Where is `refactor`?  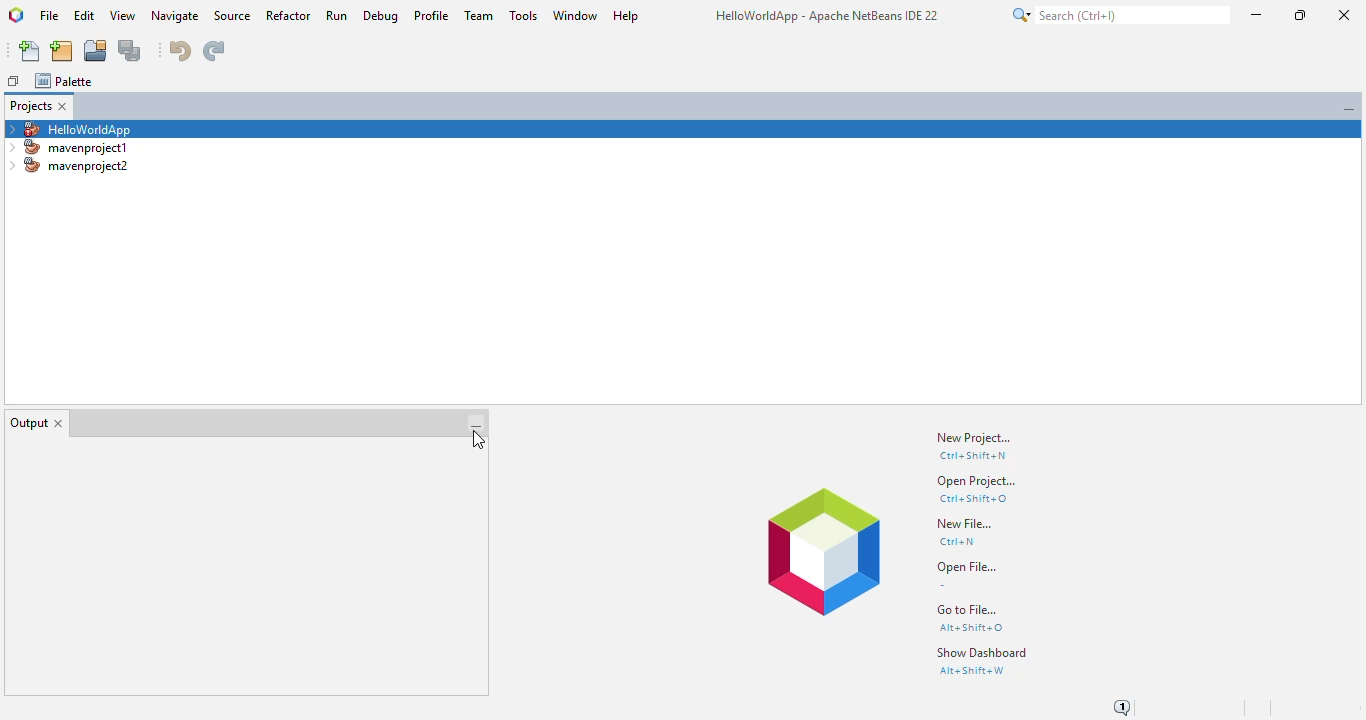 refactor is located at coordinates (289, 16).